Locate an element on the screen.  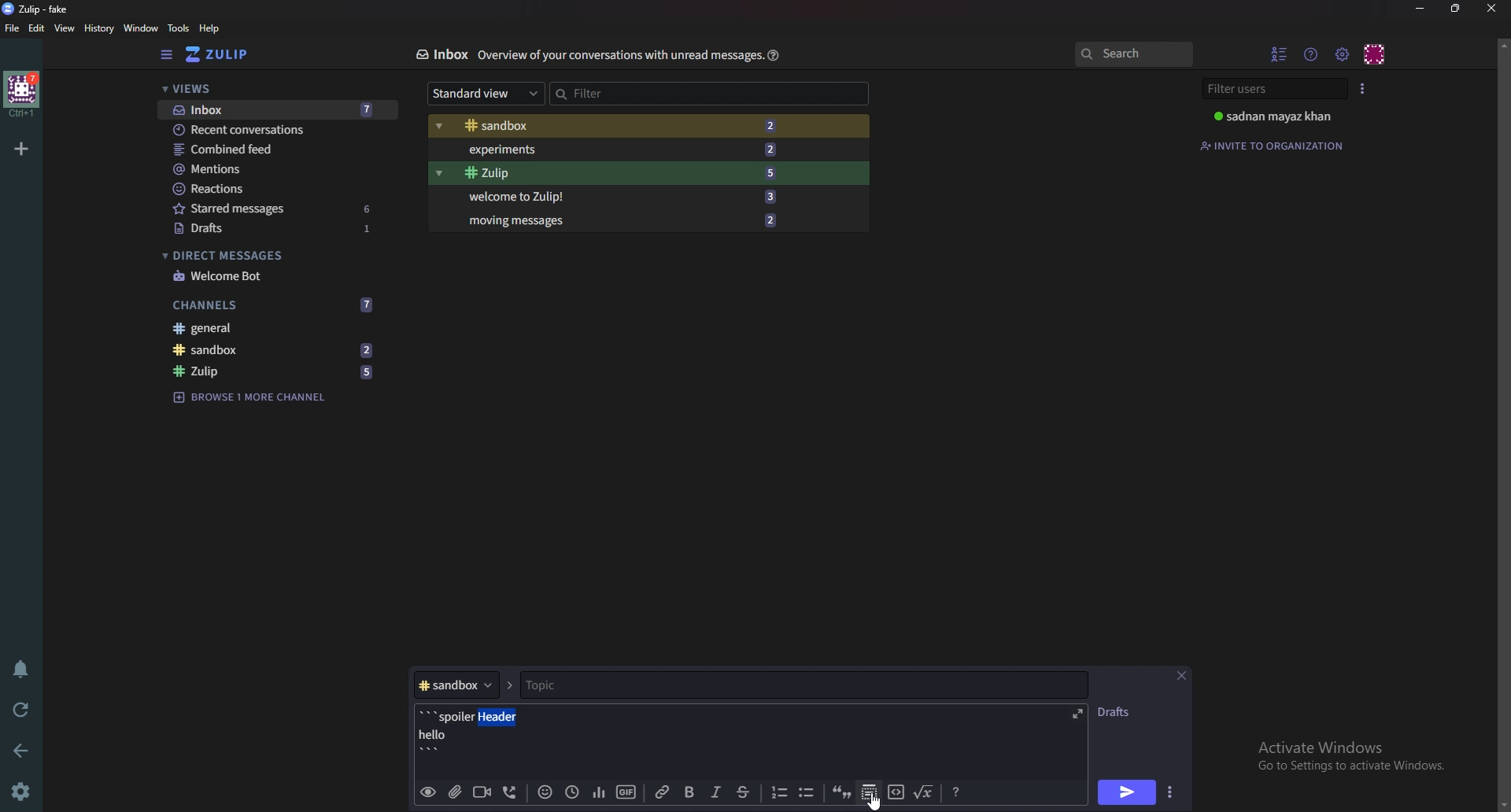
Bold is located at coordinates (689, 794).